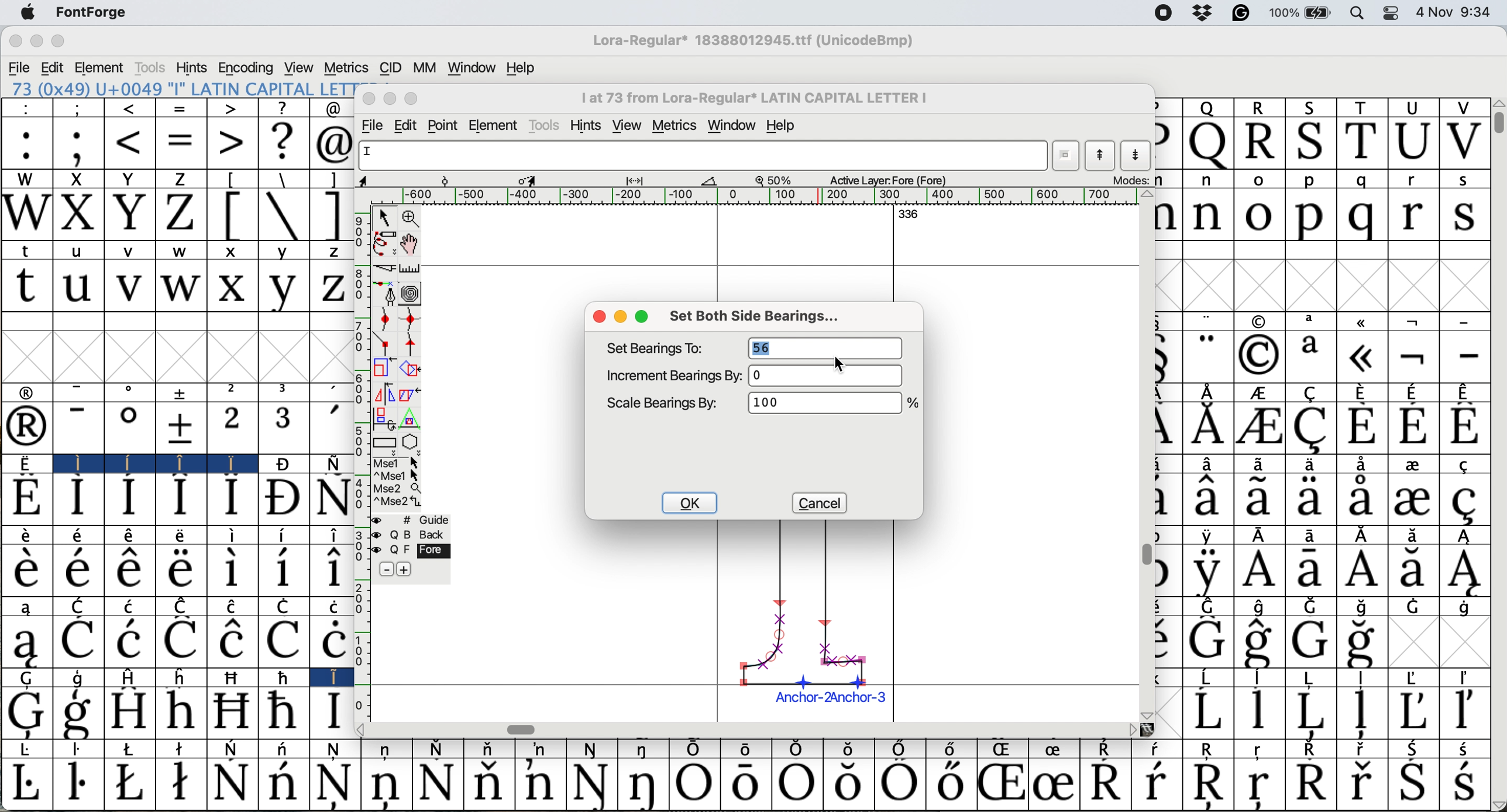 This screenshot has height=812, width=1507. Describe the element at coordinates (1312, 142) in the screenshot. I see `S` at that location.